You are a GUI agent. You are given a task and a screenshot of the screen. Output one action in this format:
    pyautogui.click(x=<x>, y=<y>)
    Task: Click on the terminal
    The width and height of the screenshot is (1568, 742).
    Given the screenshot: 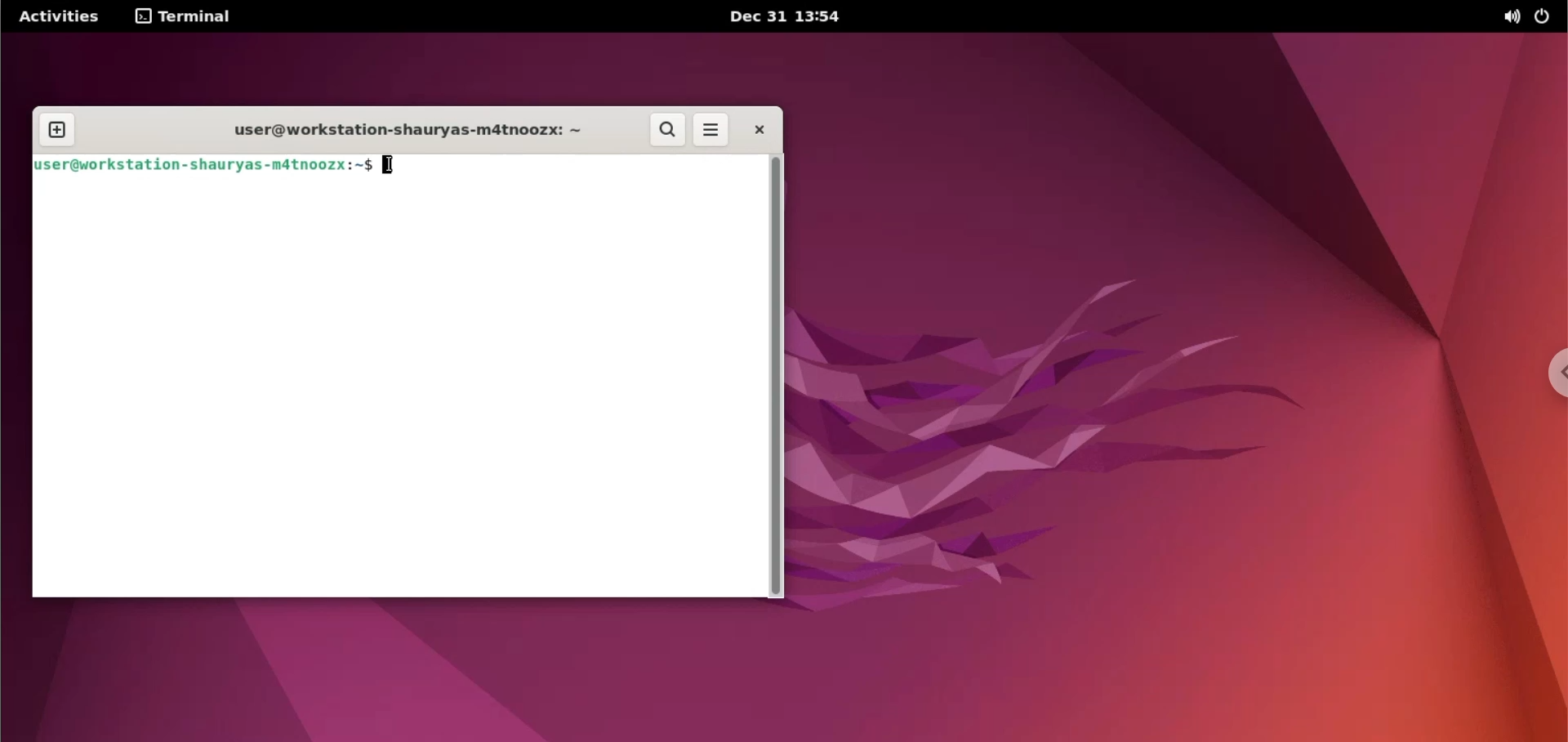 What is the action you would take?
    pyautogui.click(x=189, y=15)
    